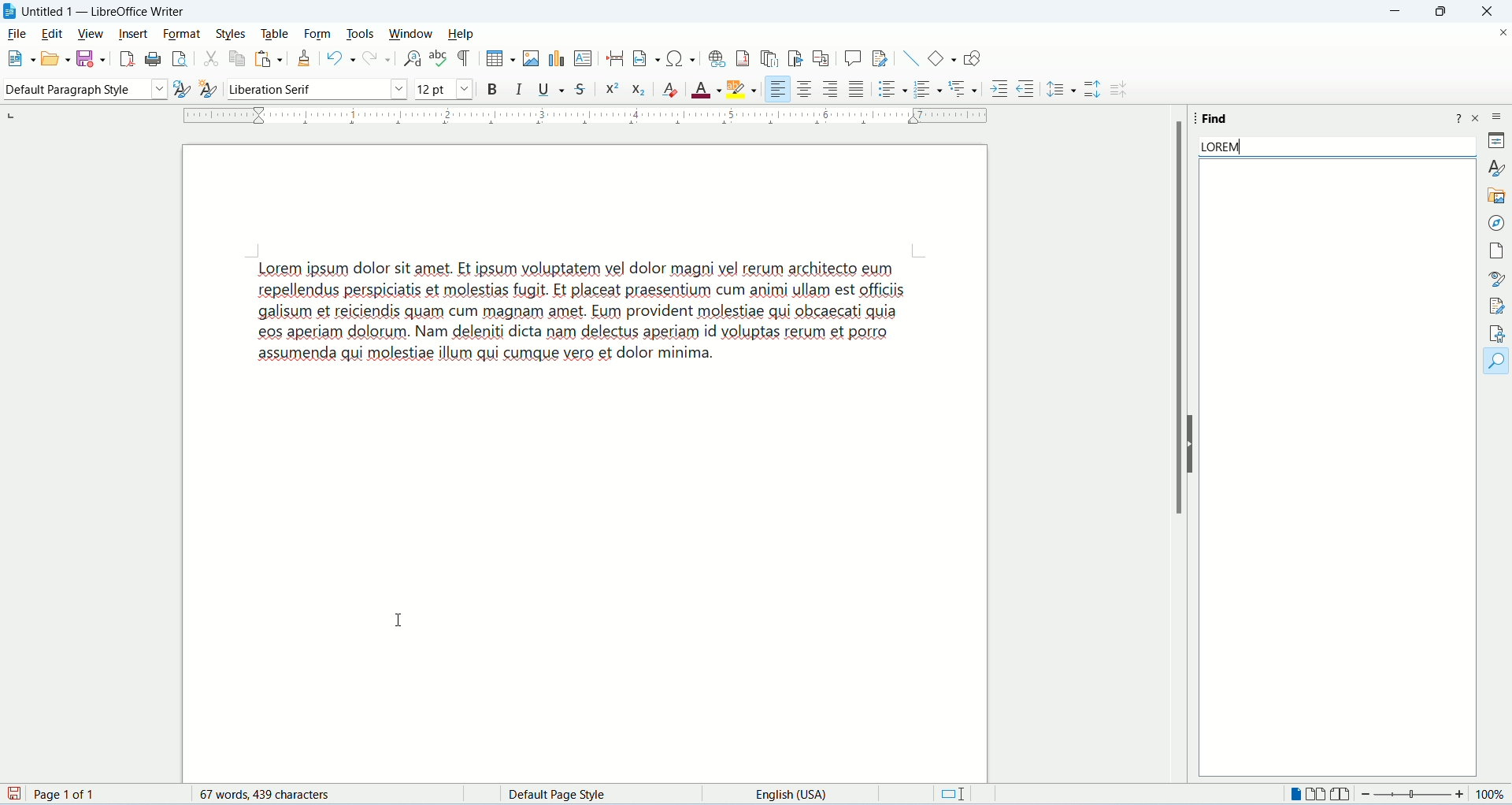  I want to click on insert comment, so click(853, 57).